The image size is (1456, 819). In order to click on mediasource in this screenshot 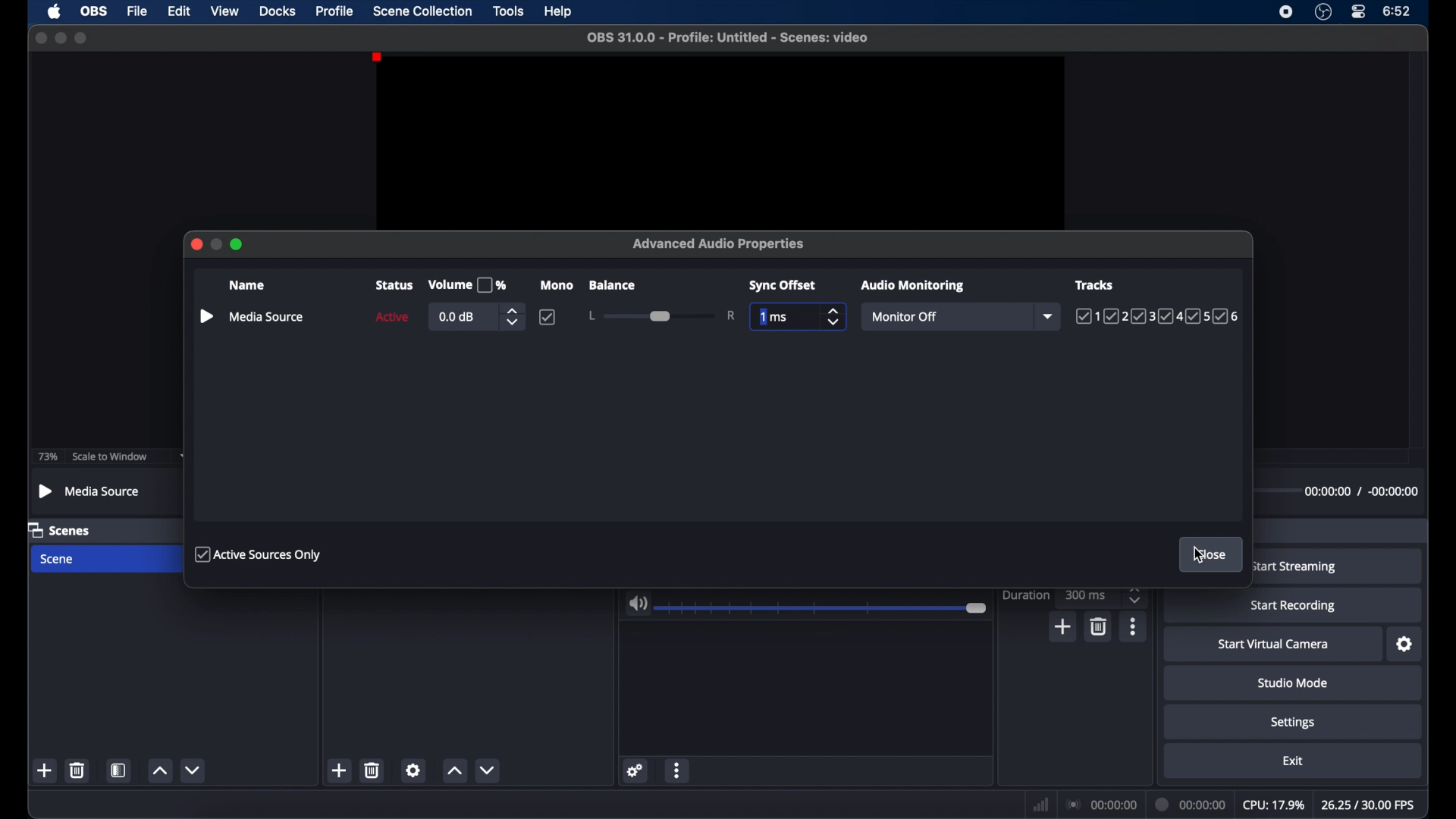, I will do `click(89, 491)`.